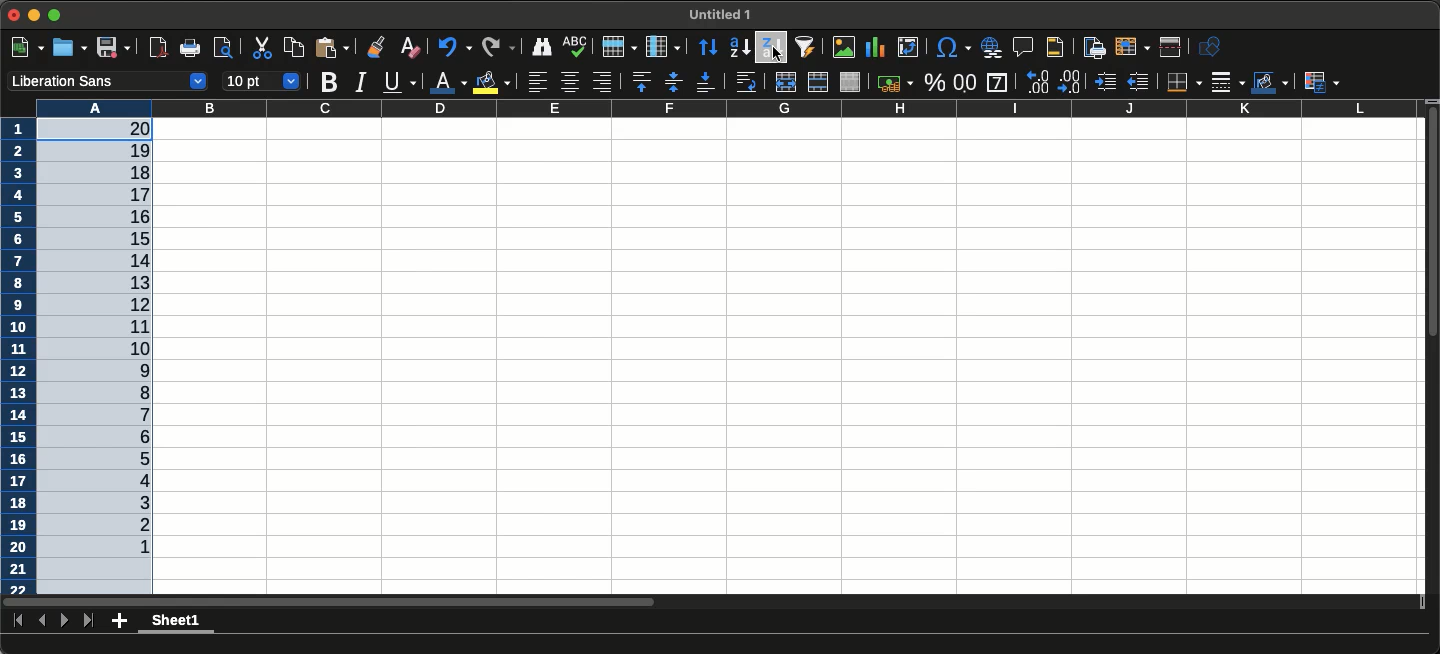  What do you see at coordinates (131, 326) in the screenshot?
I see `10` at bounding box center [131, 326].